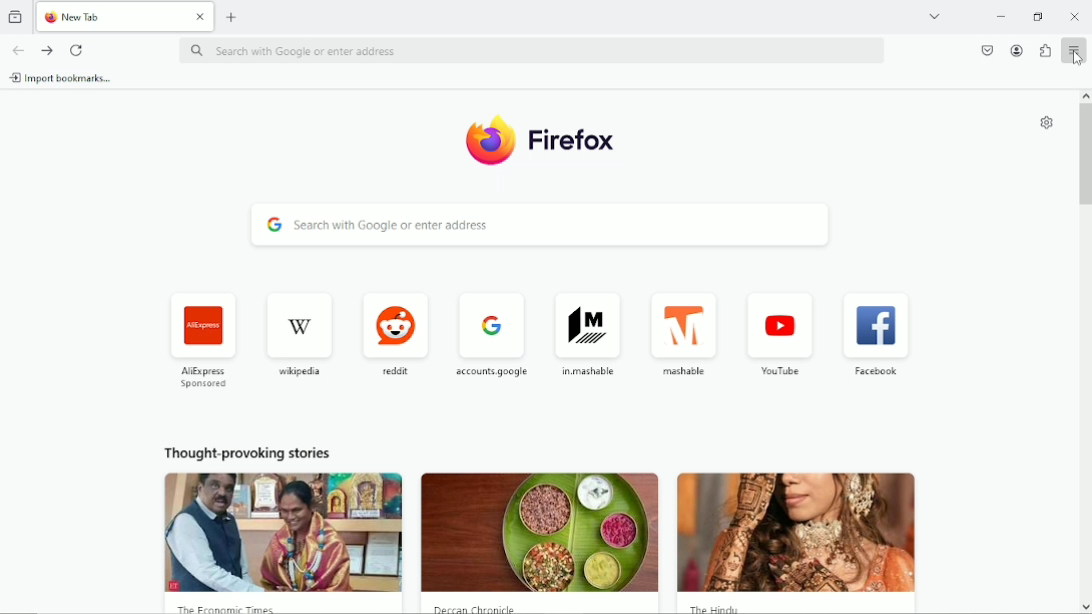 The height and width of the screenshot is (614, 1092). What do you see at coordinates (247, 609) in the screenshot?
I see `the economic times` at bounding box center [247, 609].